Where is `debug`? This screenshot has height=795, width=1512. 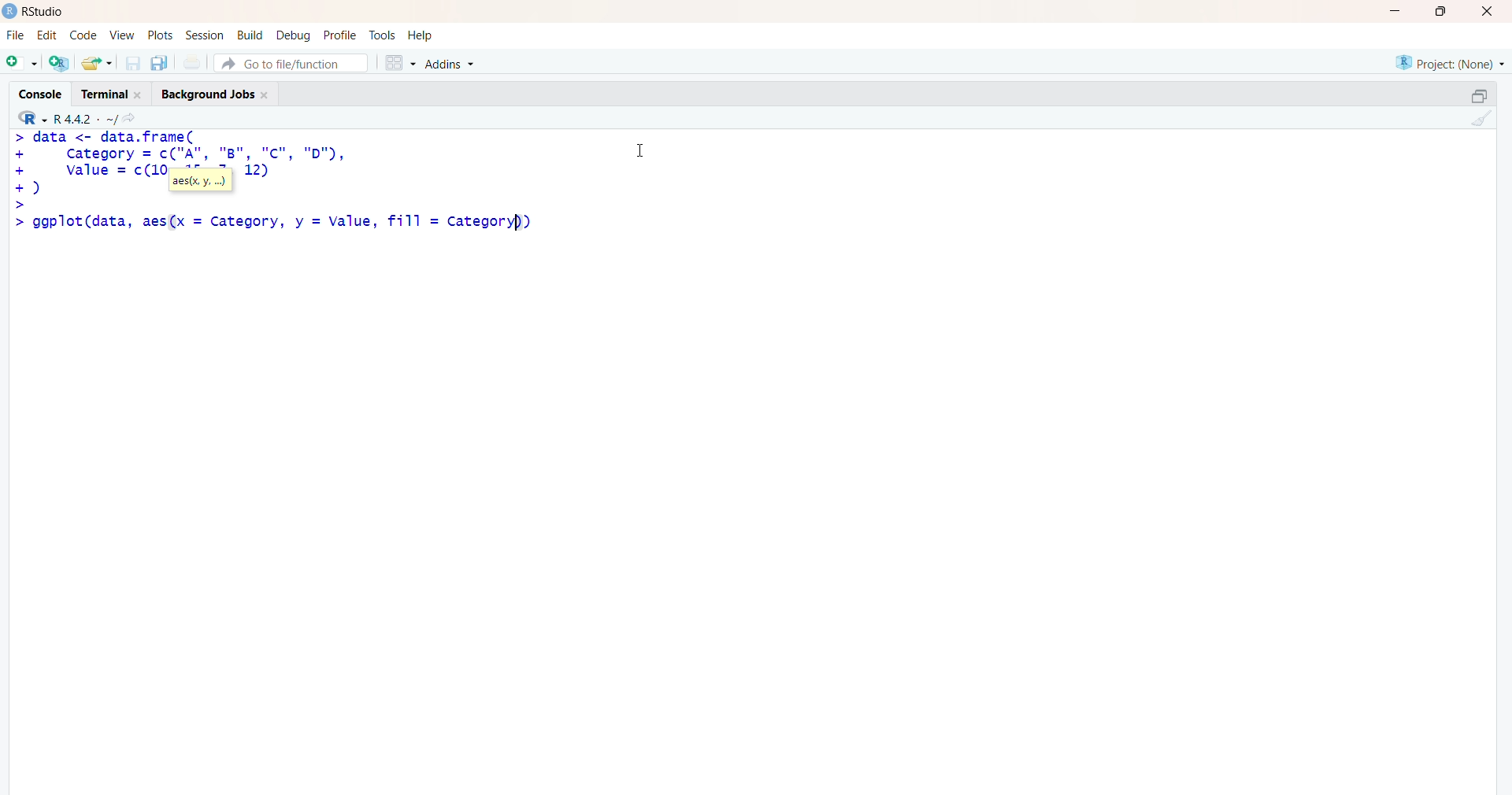
debug is located at coordinates (294, 35).